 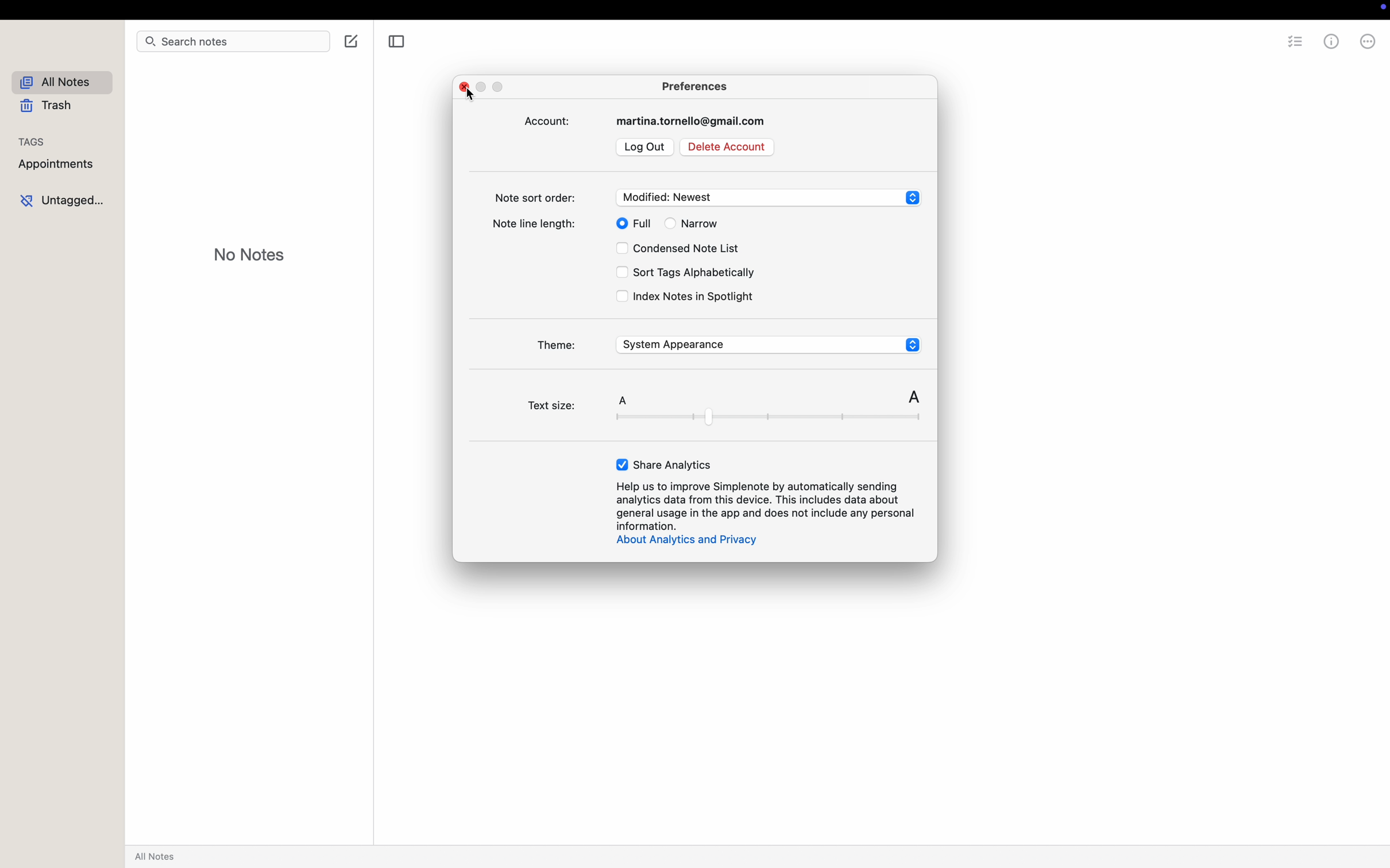 What do you see at coordinates (725, 147) in the screenshot?
I see `delete account` at bounding box center [725, 147].